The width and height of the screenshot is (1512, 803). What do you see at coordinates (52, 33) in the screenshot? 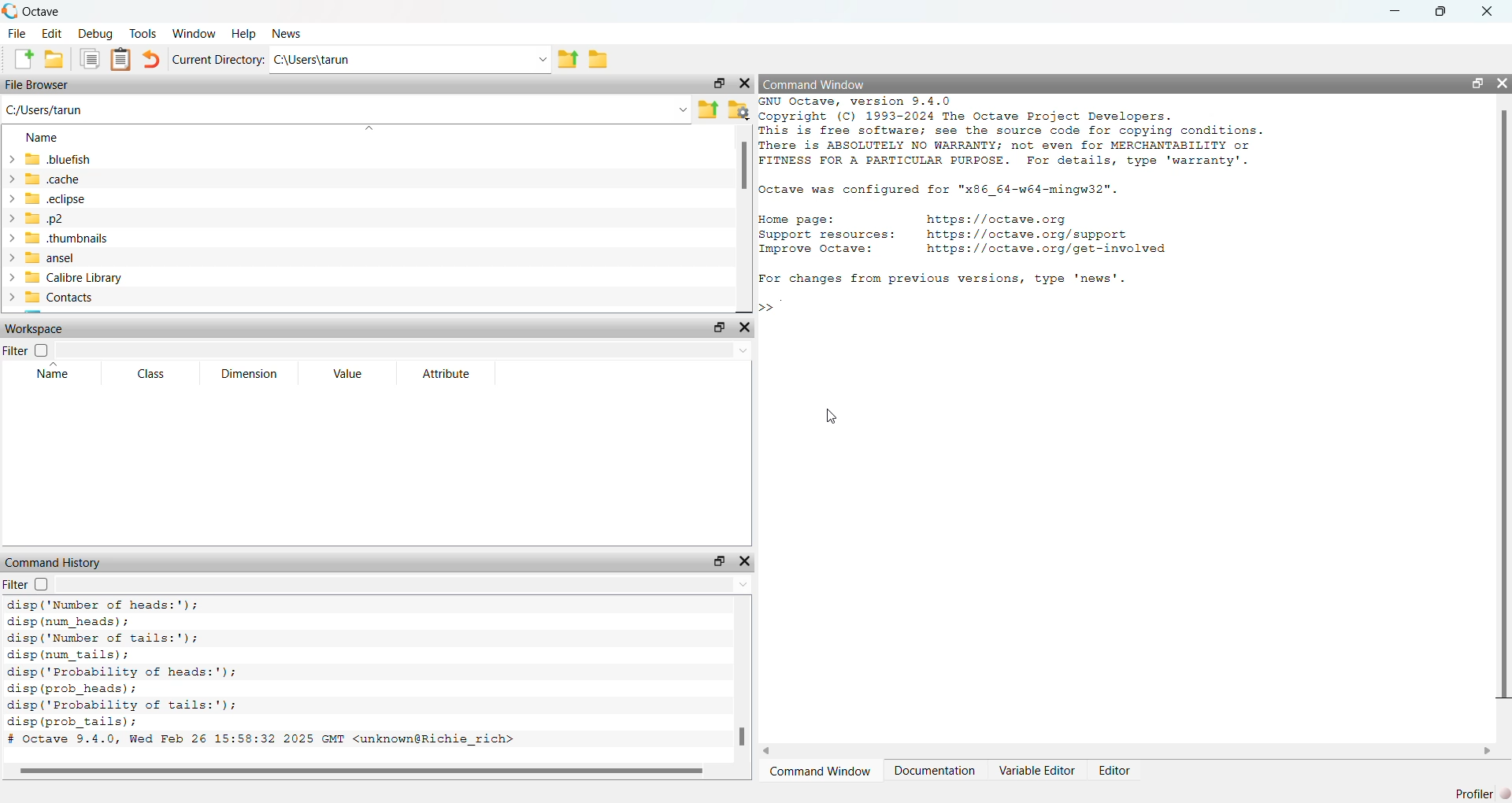
I see `Edit` at bounding box center [52, 33].